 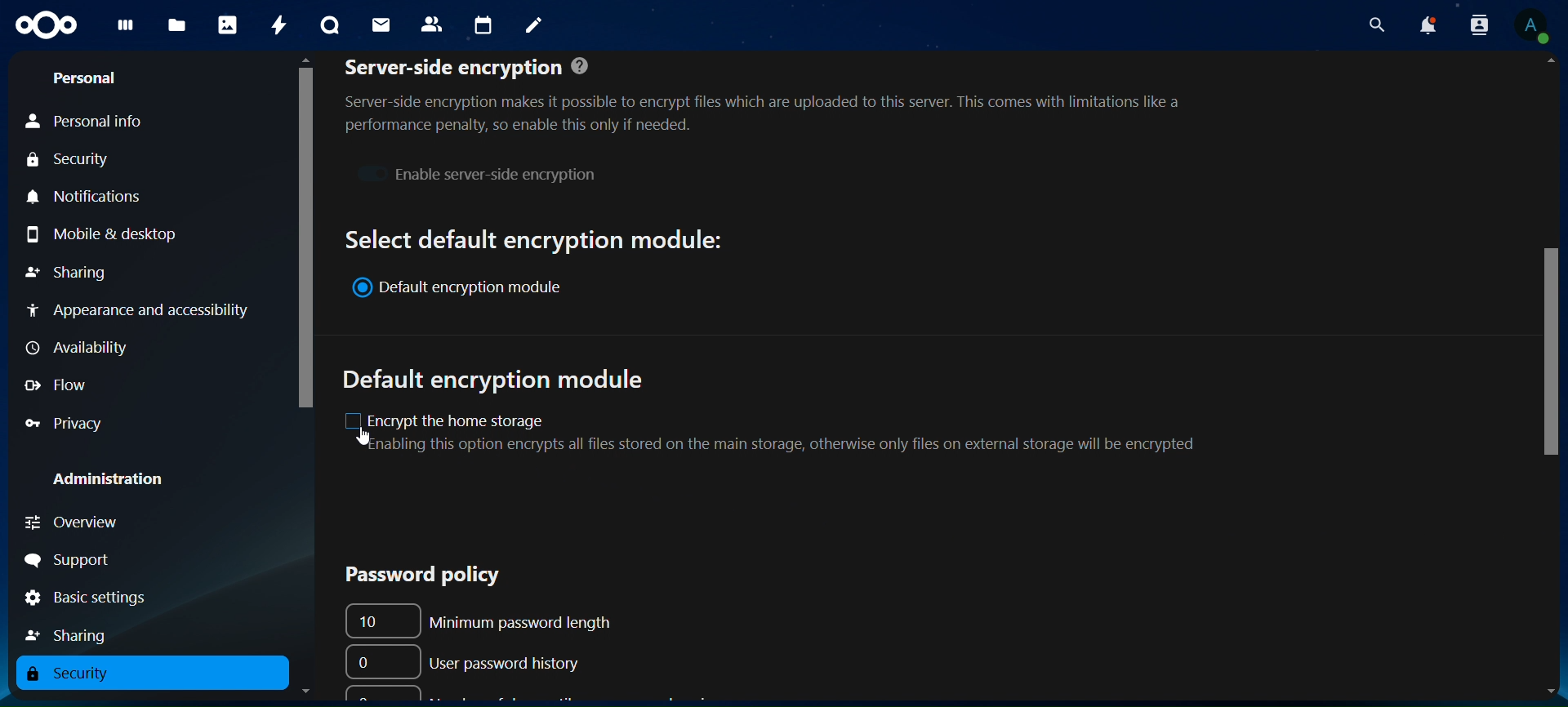 What do you see at coordinates (278, 24) in the screenshot?
I see `activity` at bounding box center [278, 24].